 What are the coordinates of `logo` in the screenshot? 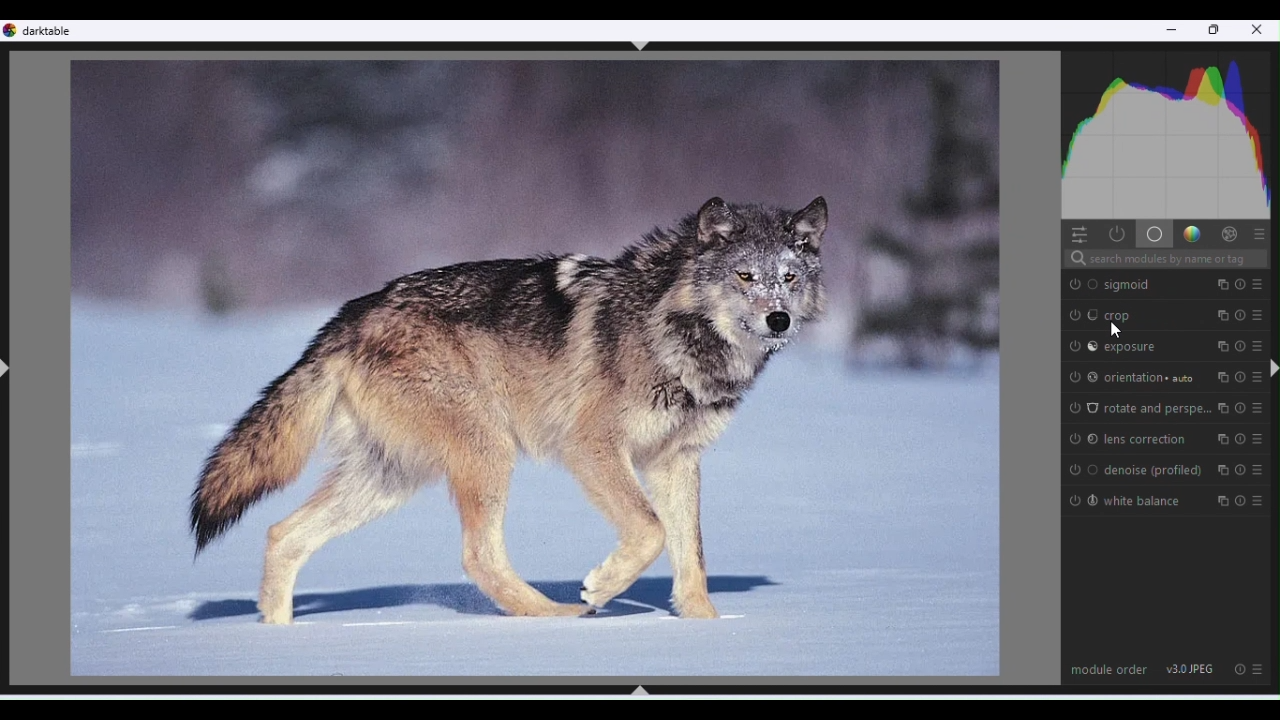 It's located at (11, 30).